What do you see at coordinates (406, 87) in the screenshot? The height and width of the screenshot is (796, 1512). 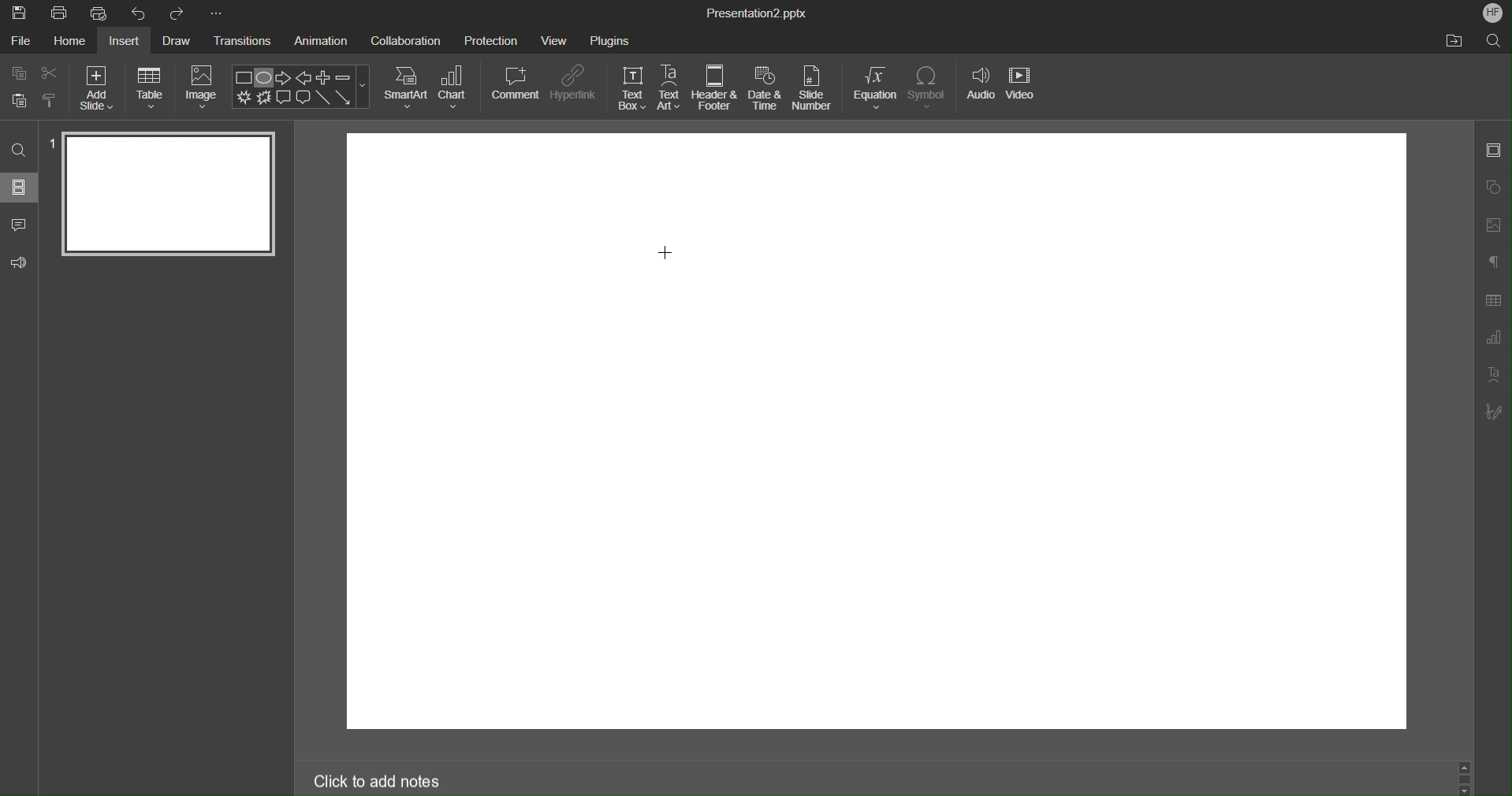 I see `SmartArt` at bounding box center [406, 87].